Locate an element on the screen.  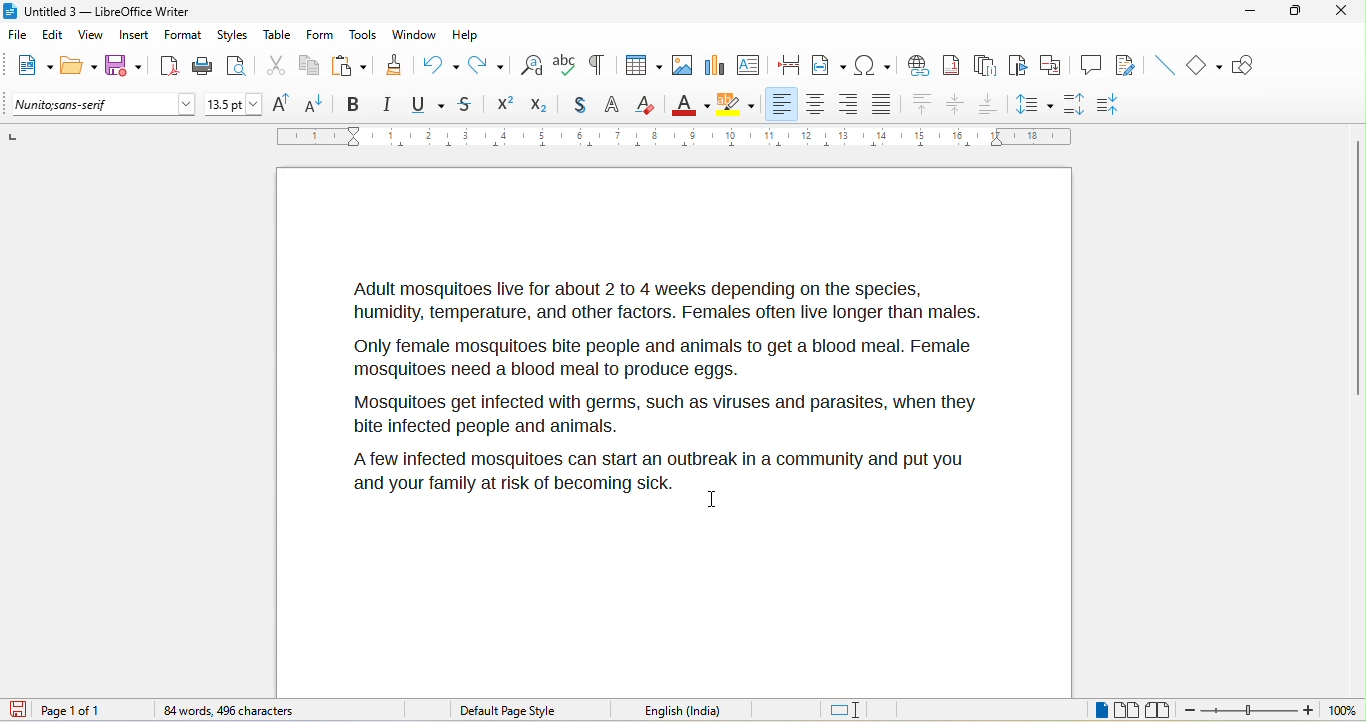
page 1 of 1 is located at coordinates (87, 710).